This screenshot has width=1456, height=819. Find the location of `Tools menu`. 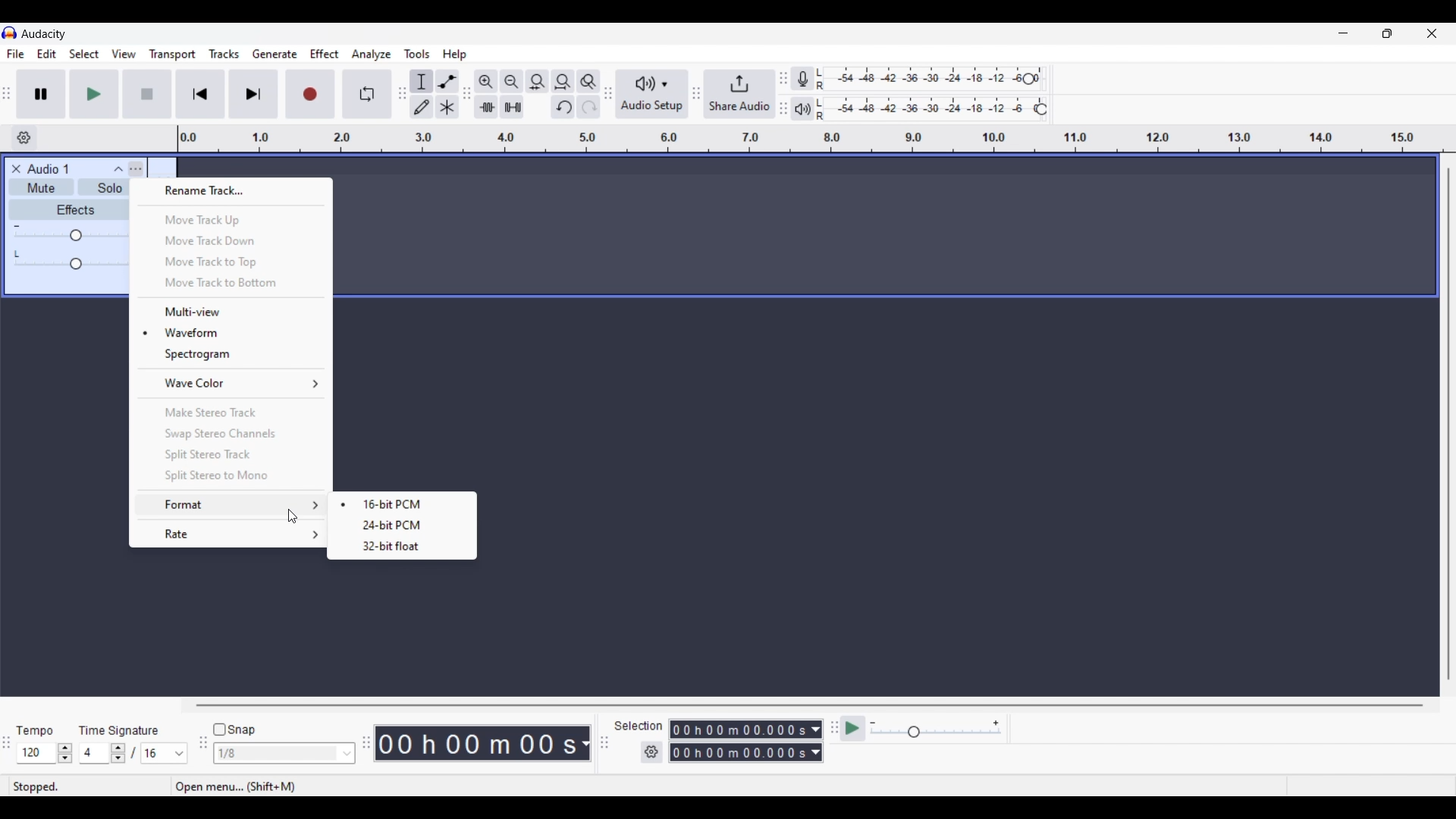

Tools menu is located at coordinates (417, 54).